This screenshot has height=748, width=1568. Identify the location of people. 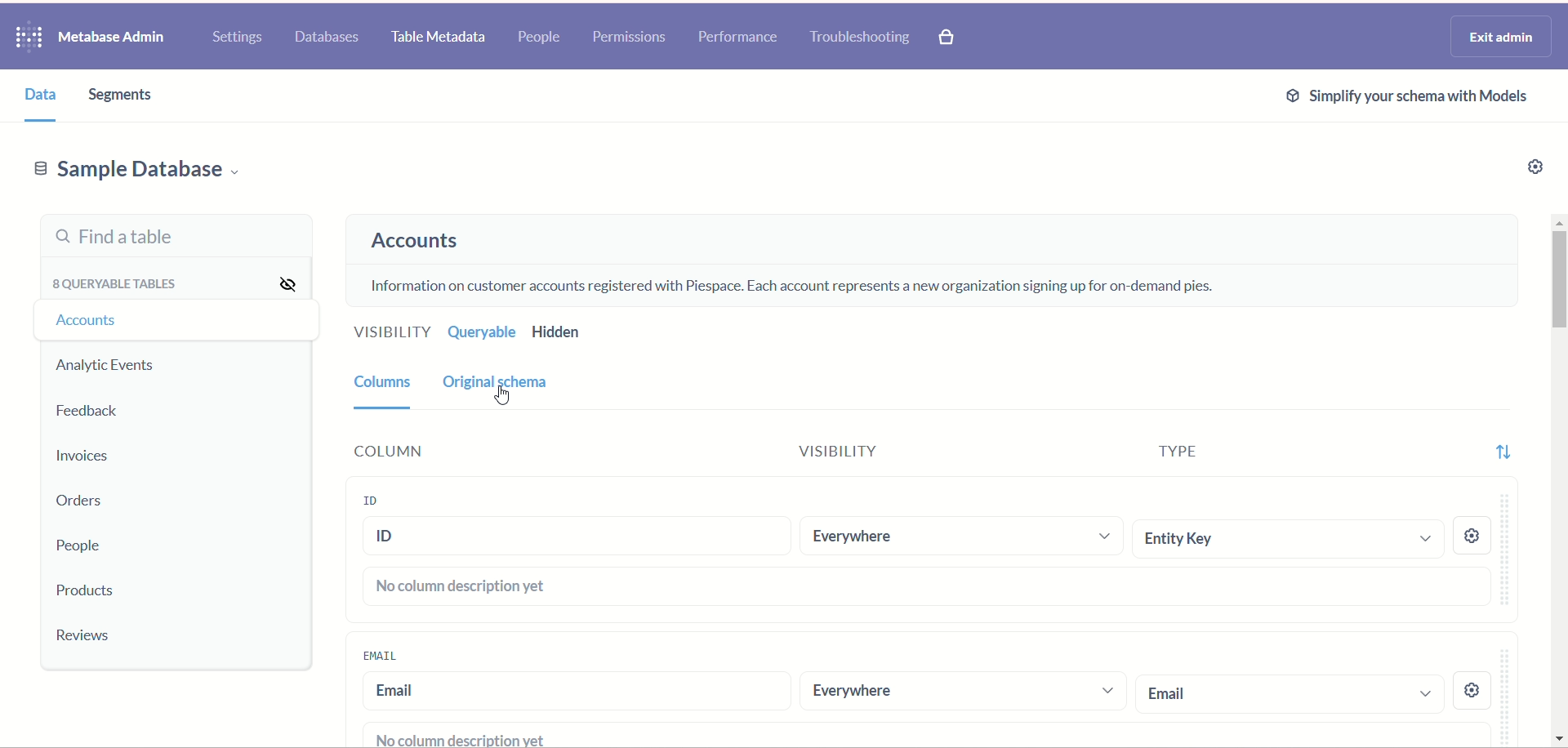
(540, 36).